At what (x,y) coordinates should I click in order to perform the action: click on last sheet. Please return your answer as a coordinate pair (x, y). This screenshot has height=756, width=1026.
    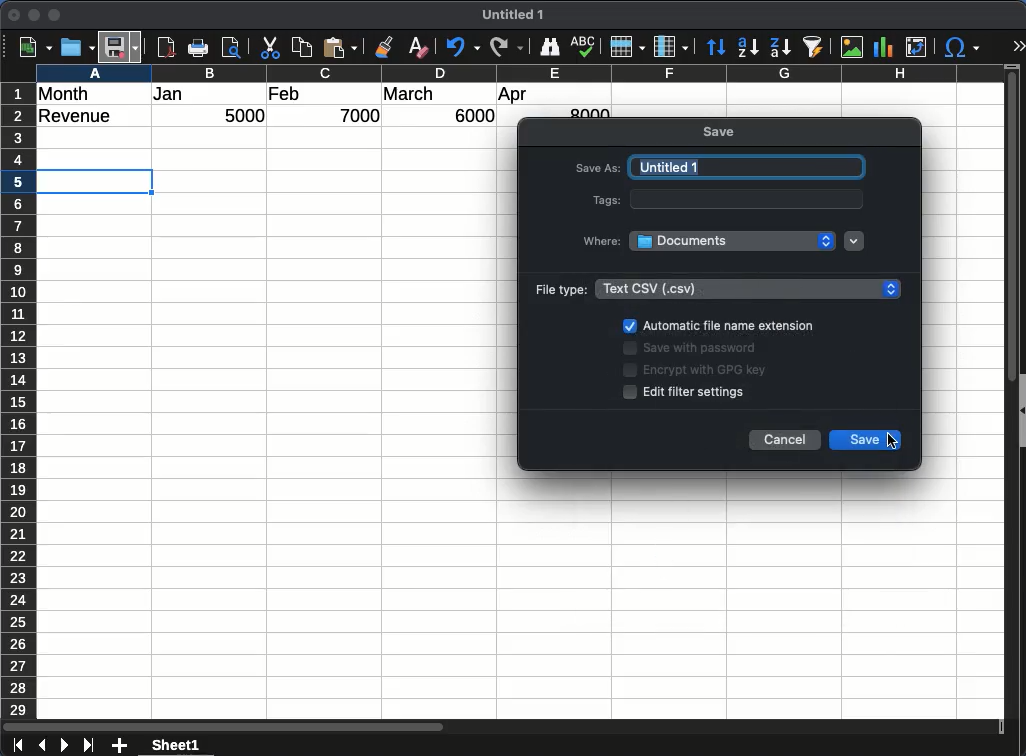
    Looking at the image, I should click on (88, 746).